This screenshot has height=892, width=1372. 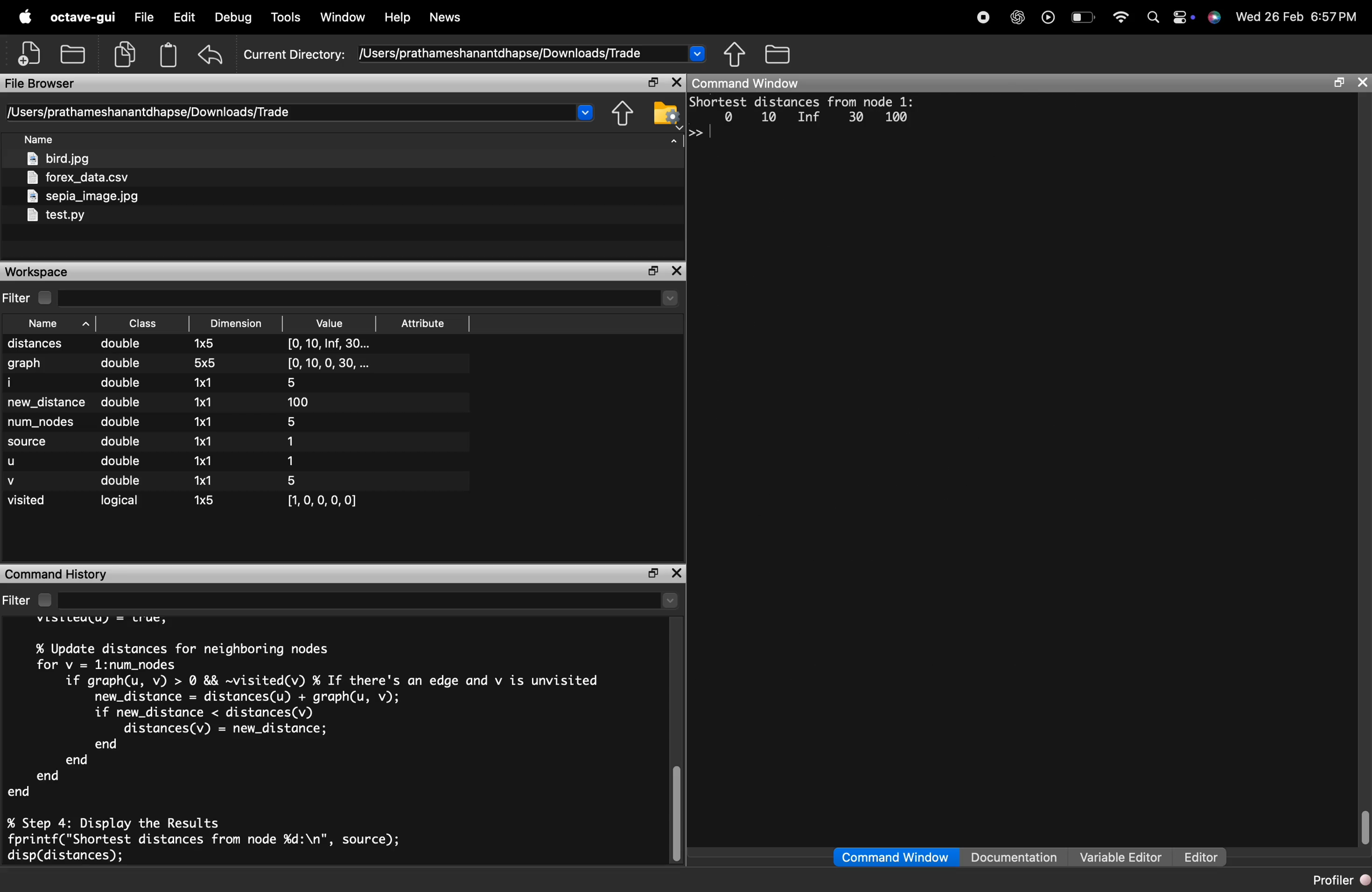 What do you see at coordinates (1186, 18) in the screenshot?
I see `action center` at bounding box center [1186, 18].